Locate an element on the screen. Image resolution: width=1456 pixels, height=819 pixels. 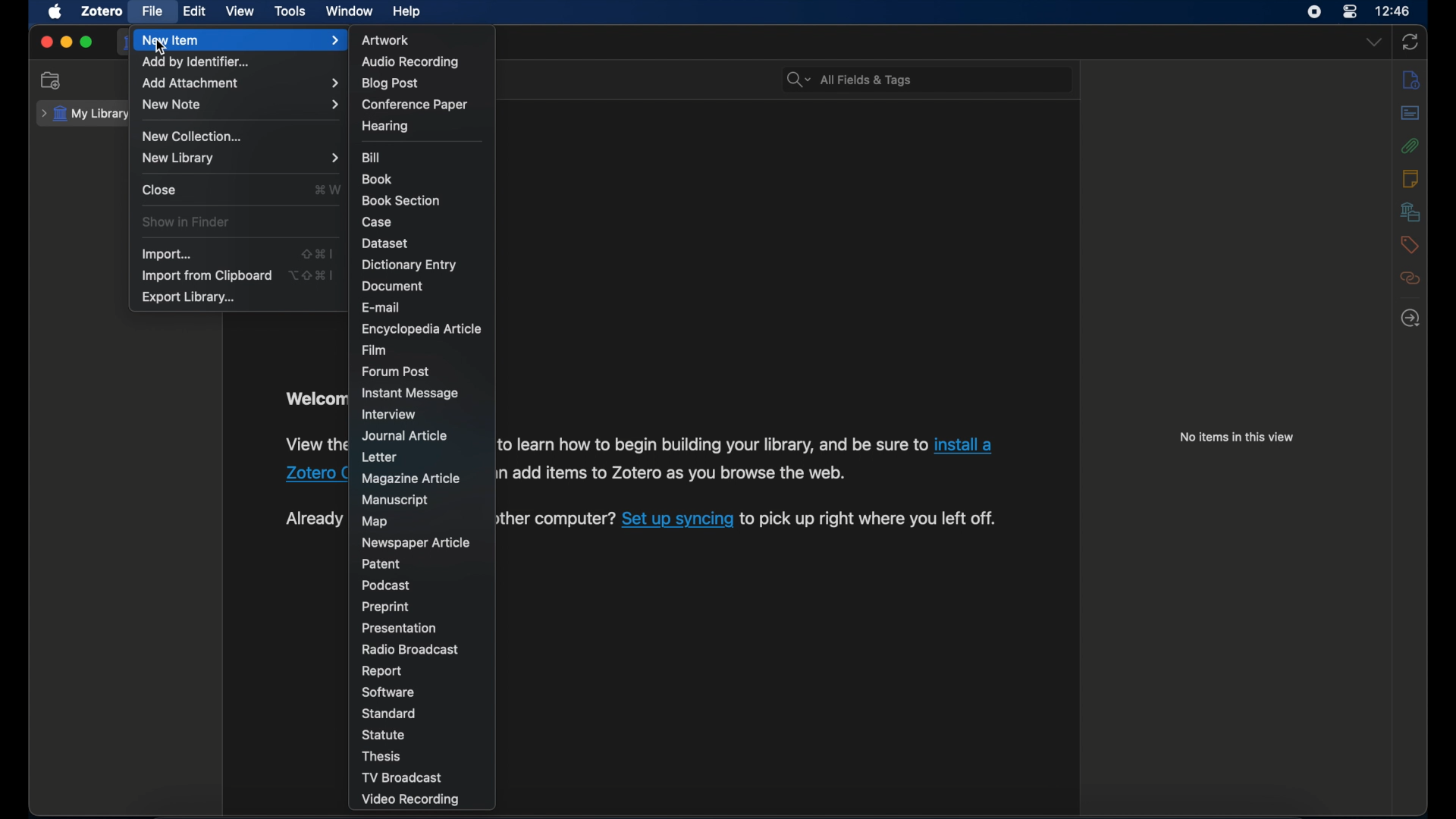
manuscript is located at coordinates (396, 500).